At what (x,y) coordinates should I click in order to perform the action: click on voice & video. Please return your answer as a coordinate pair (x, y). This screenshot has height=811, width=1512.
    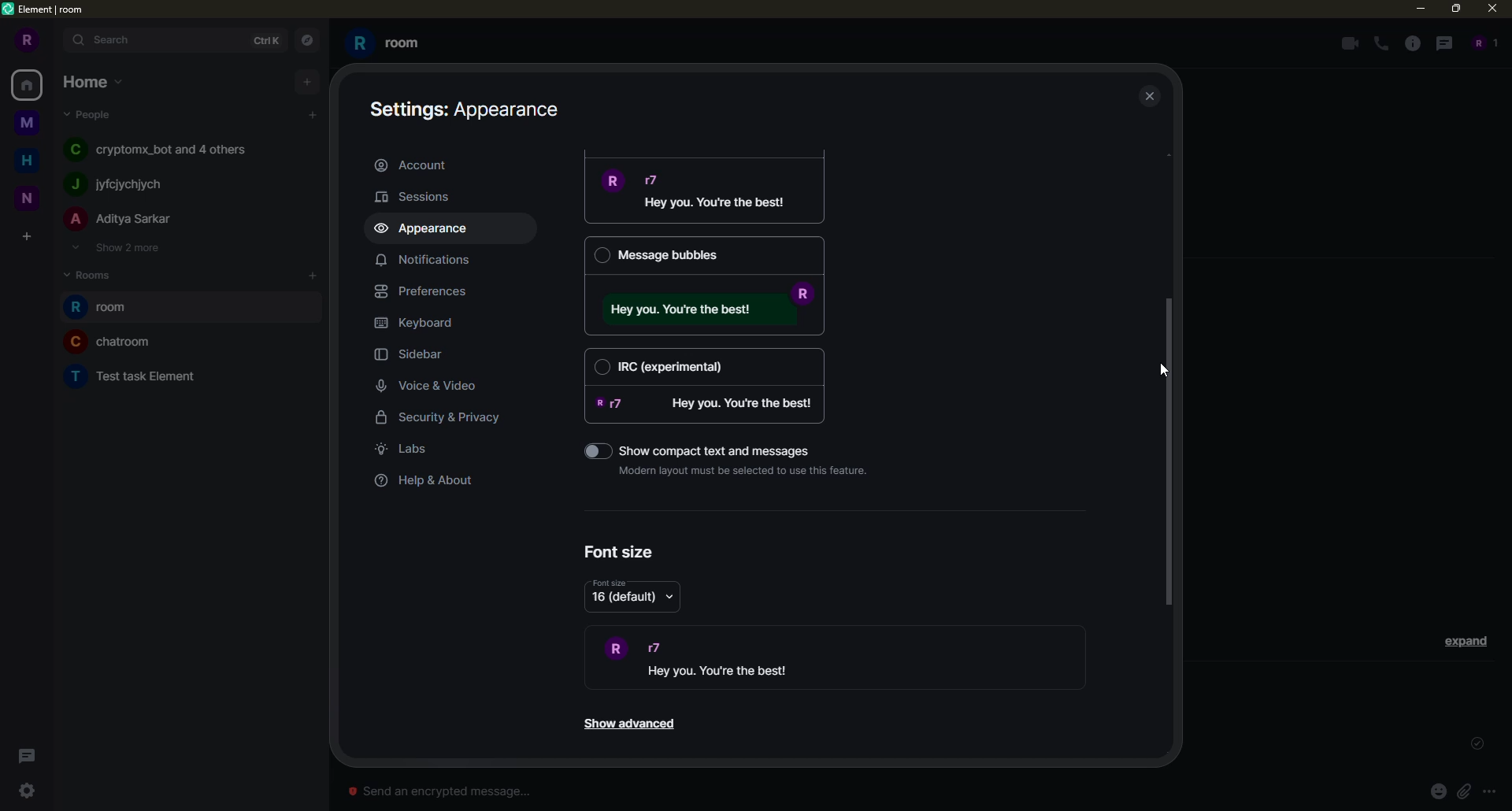
    Looking at the image, I should click on (432, 387).